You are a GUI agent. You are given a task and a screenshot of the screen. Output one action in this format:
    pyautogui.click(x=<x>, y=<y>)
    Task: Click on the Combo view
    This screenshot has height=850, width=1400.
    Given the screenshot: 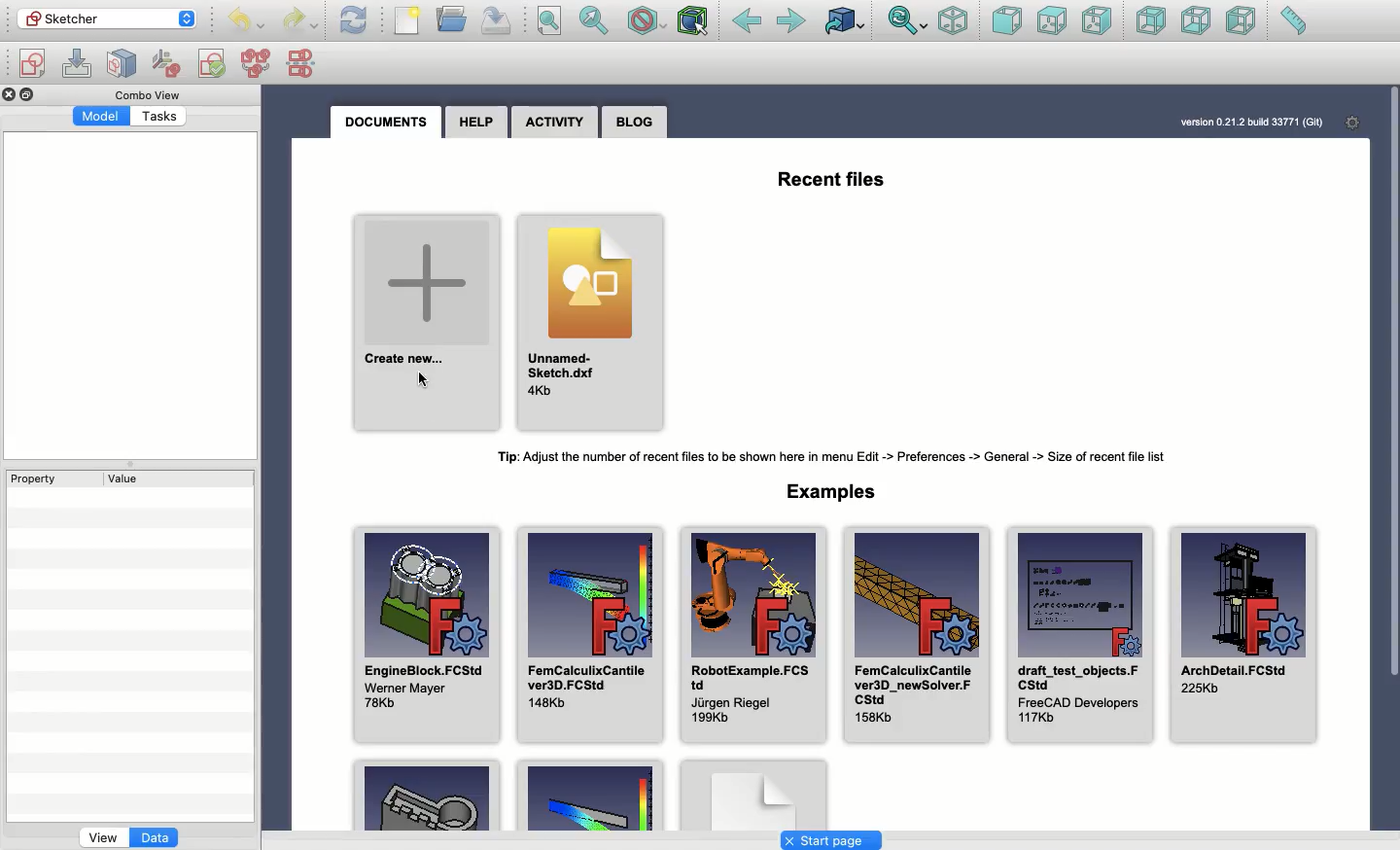 What is the action you would take?
    pyautogui.click(x=147, y=96)
    